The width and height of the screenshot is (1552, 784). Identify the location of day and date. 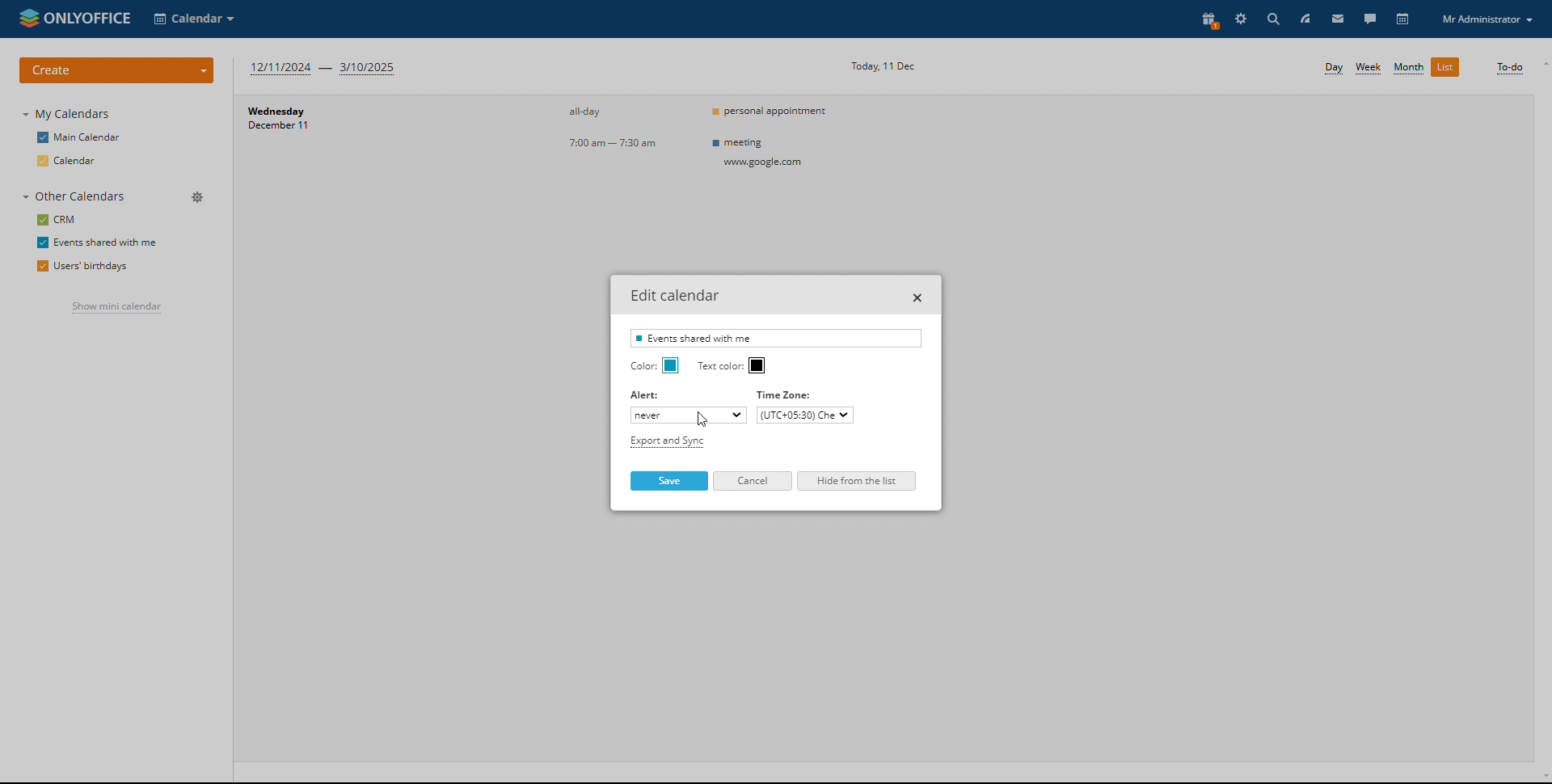
(314, 122).